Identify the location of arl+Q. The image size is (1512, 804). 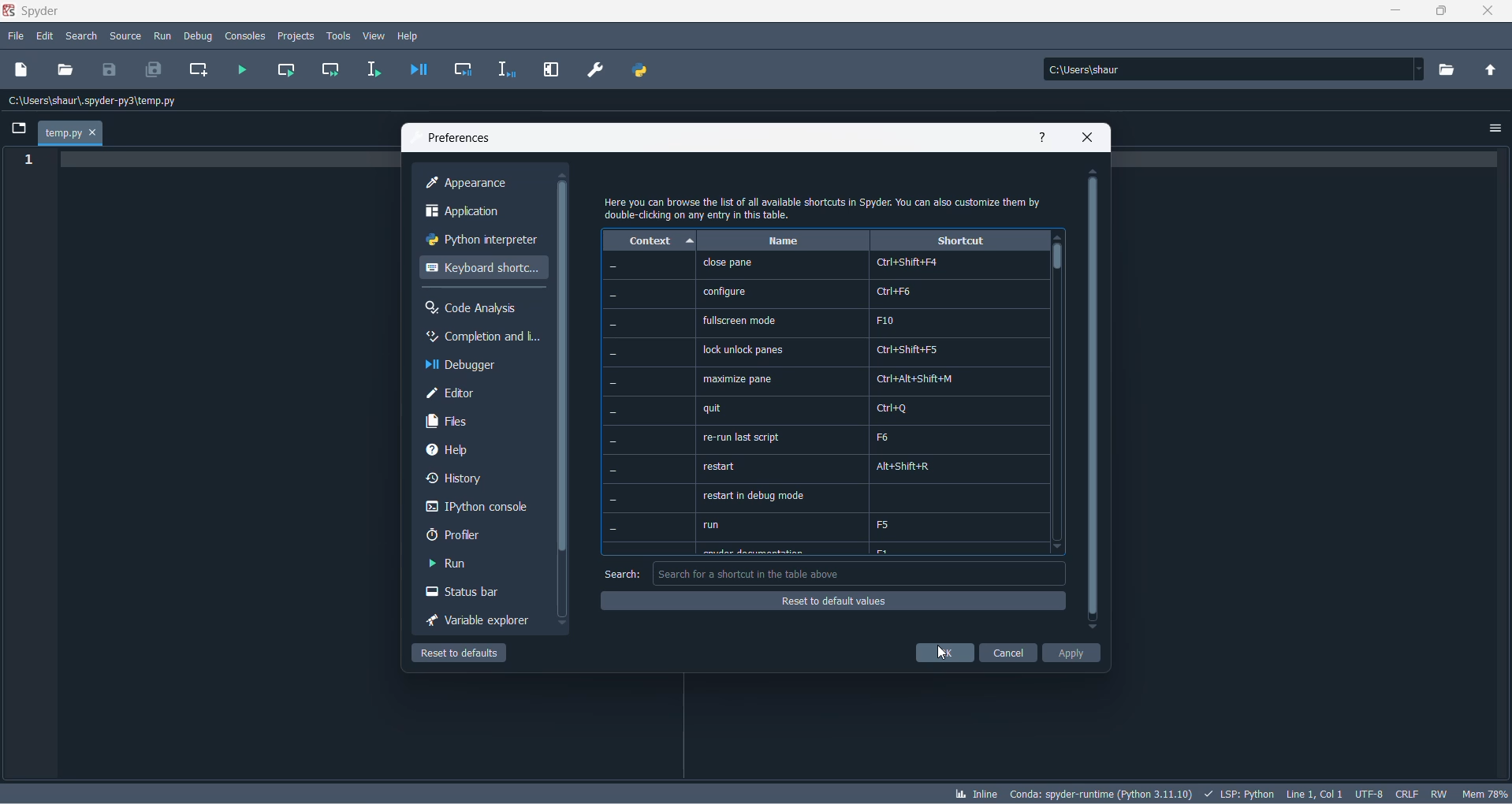
(896, 408).